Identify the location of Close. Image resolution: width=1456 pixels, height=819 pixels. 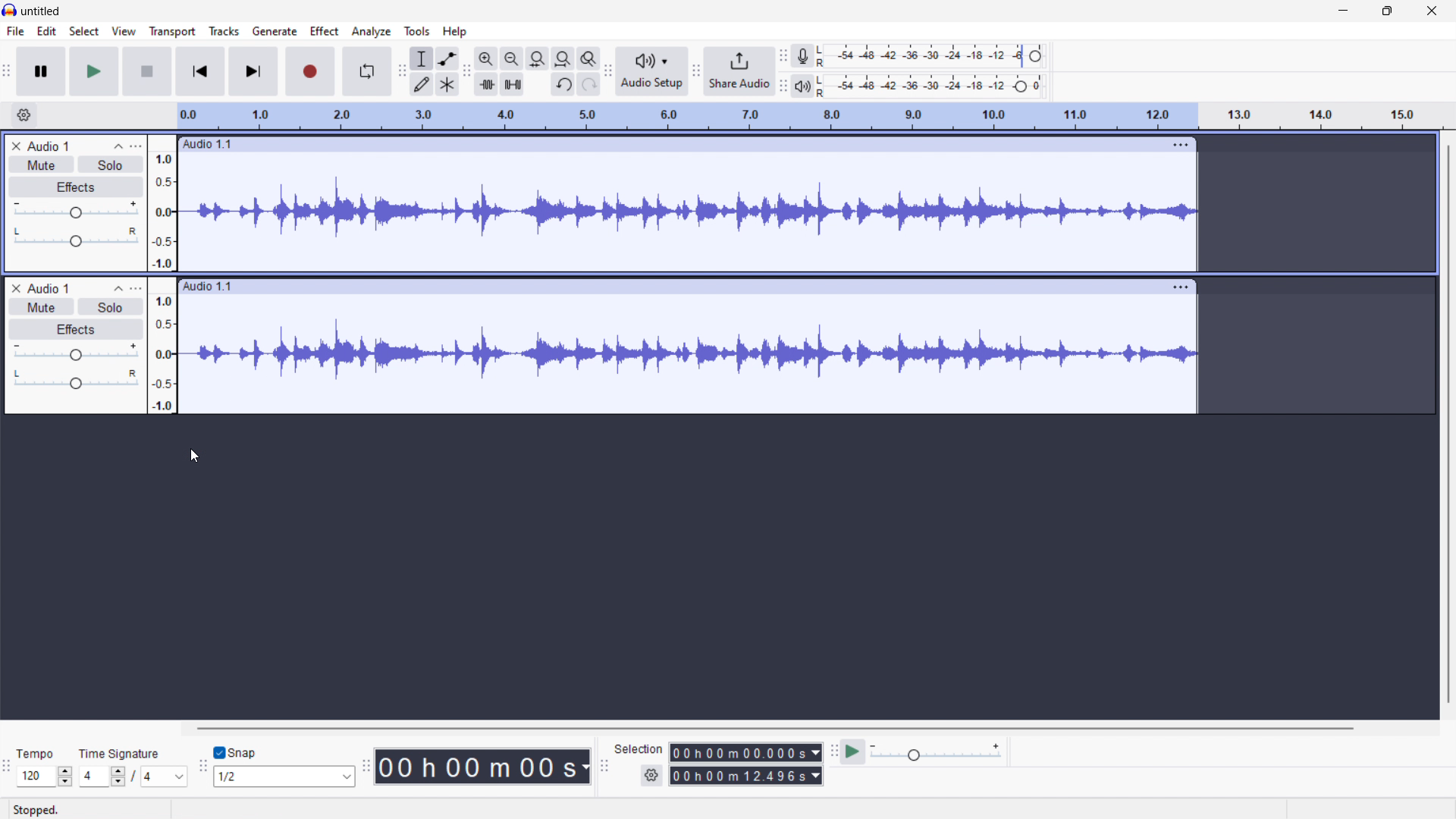
(12, 287).